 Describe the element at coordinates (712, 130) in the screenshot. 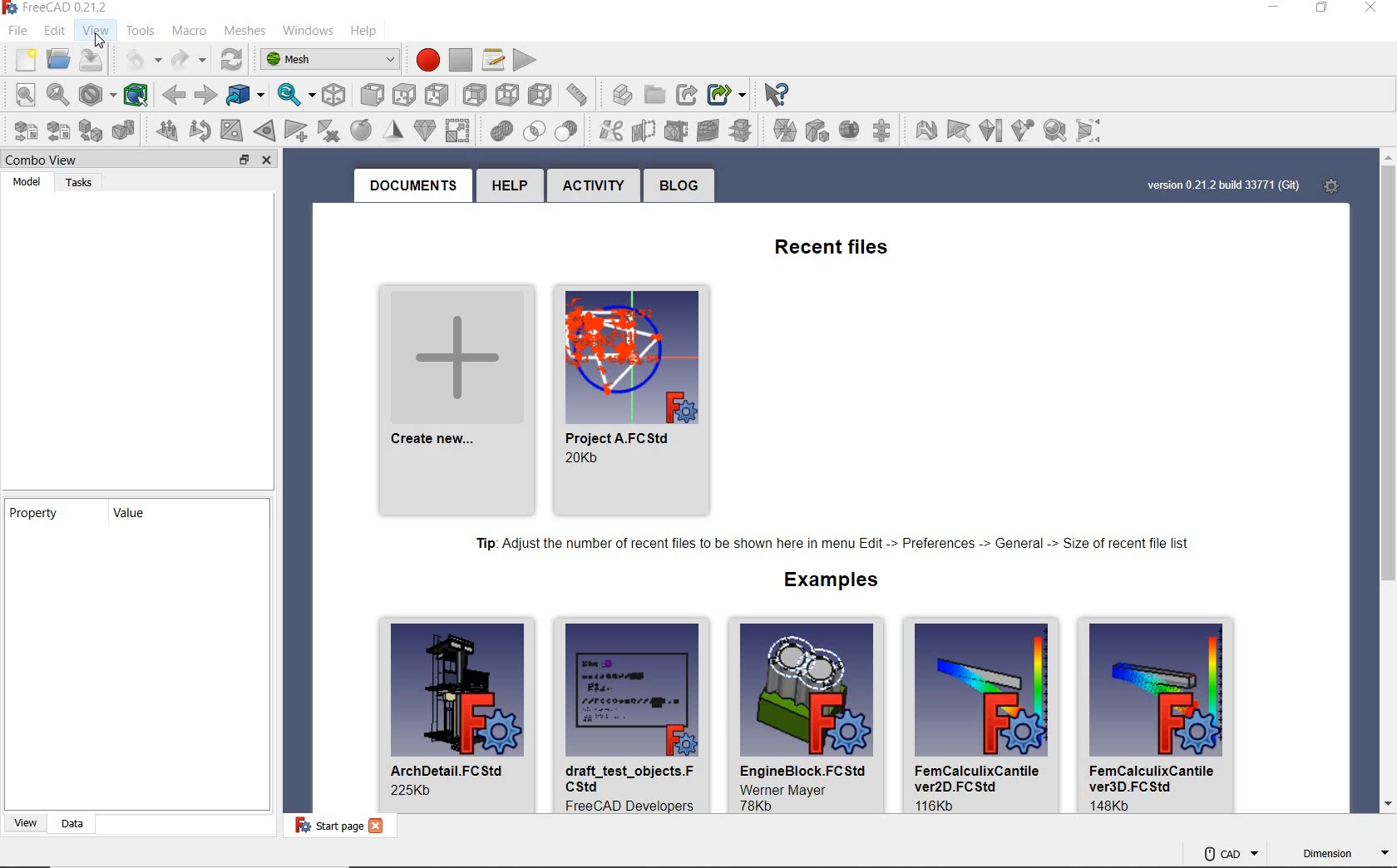

I see `cross-sections` at that location.